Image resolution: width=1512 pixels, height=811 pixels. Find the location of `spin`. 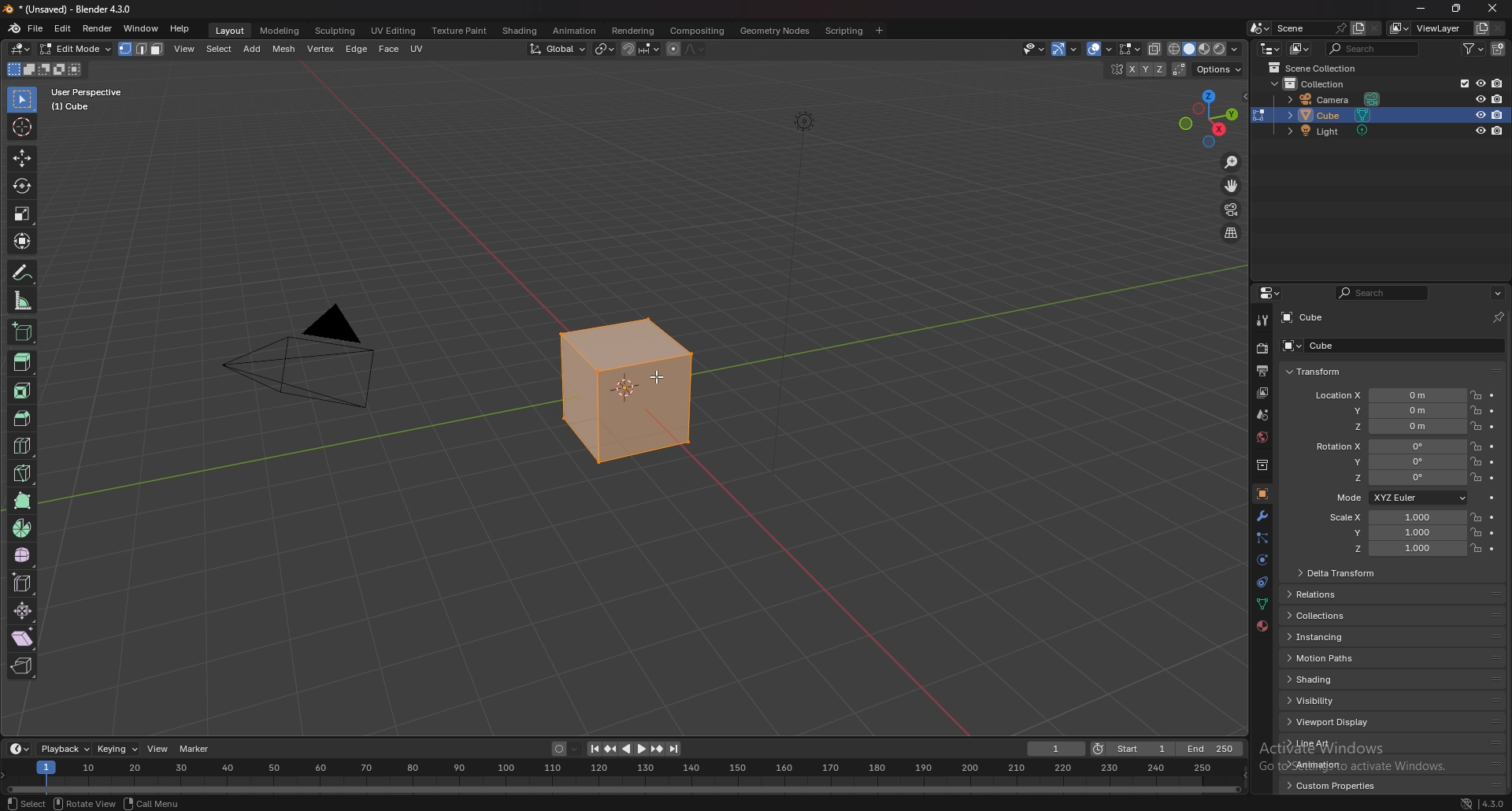

spin is located at coordinates (23, 528).